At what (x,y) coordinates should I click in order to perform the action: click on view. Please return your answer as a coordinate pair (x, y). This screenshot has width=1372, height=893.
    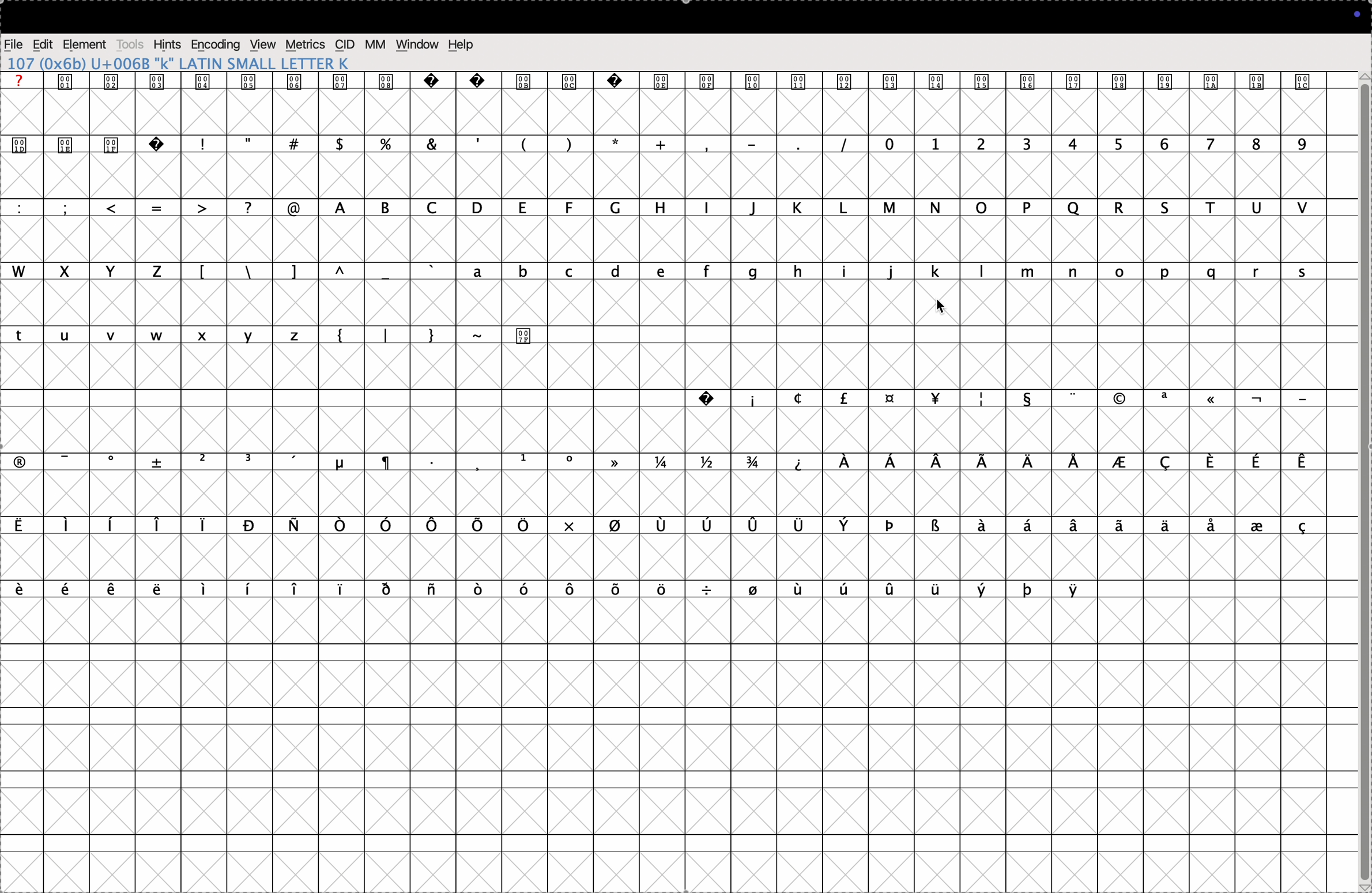
    Looking at the image, I should click on (265, 46).